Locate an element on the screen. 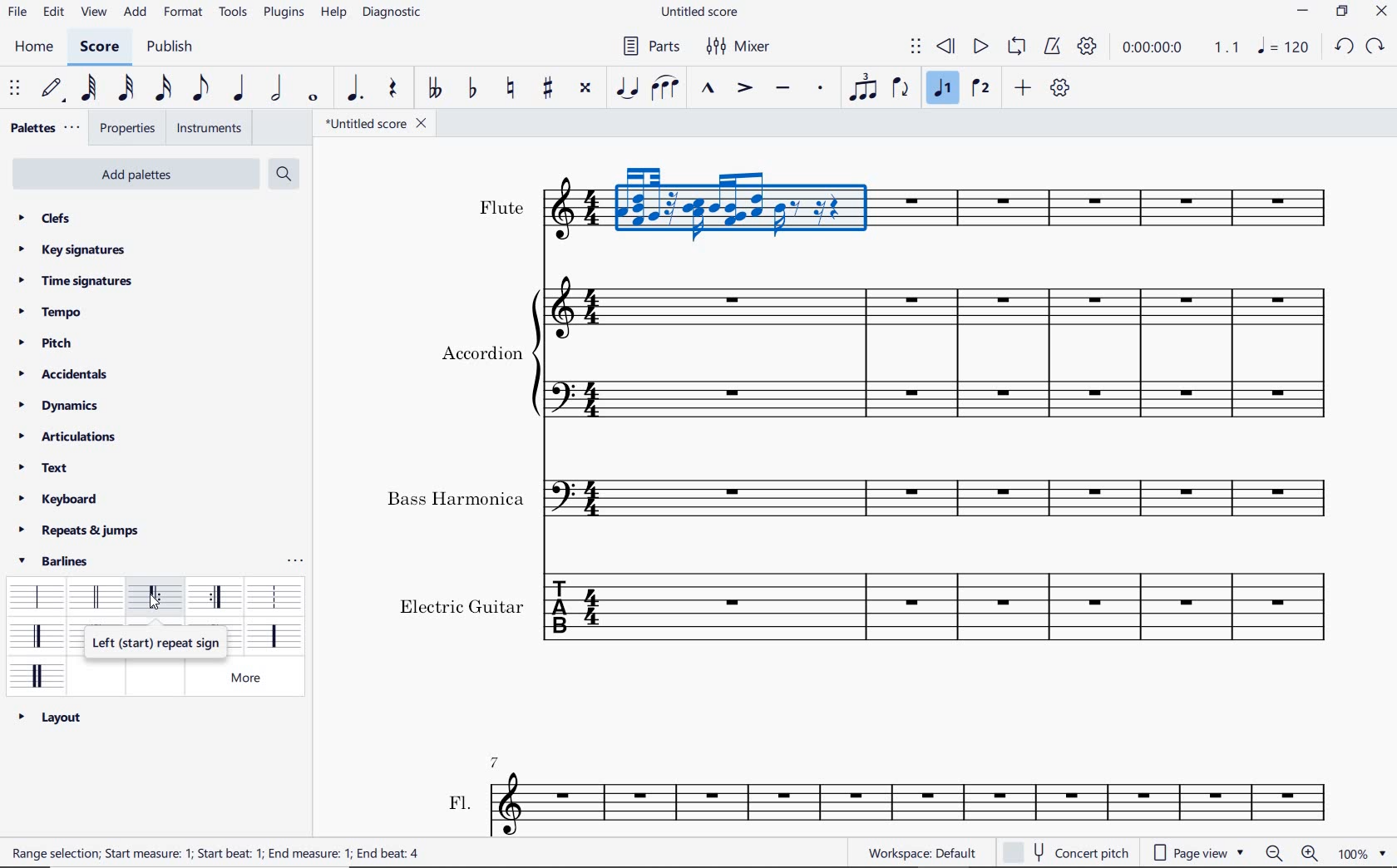 The height and width of the screenshot is (868, 1397). cursor is located at coordinates (156, 601).